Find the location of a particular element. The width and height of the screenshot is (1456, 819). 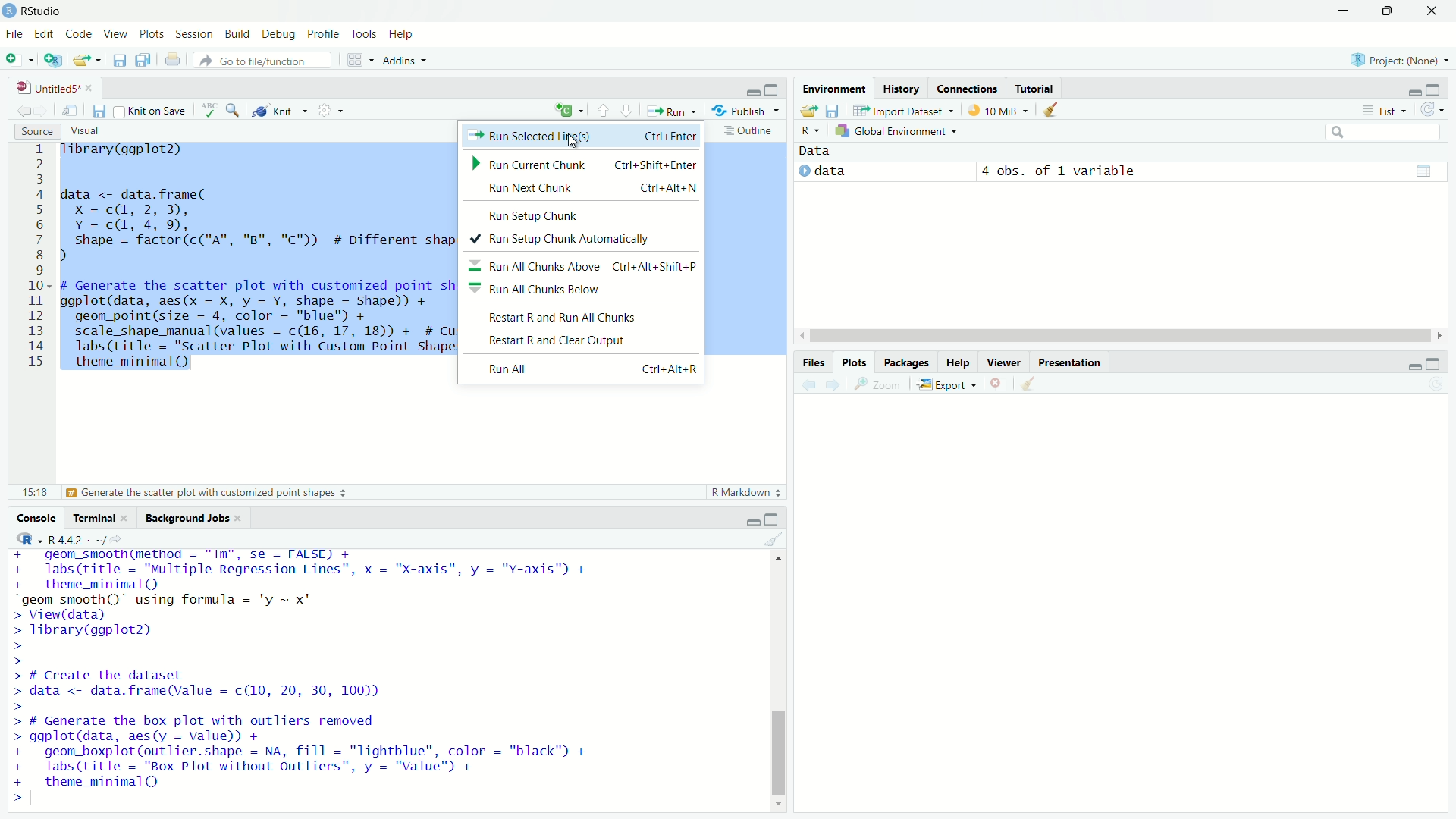

Knit is located at coordinates (279, 110).